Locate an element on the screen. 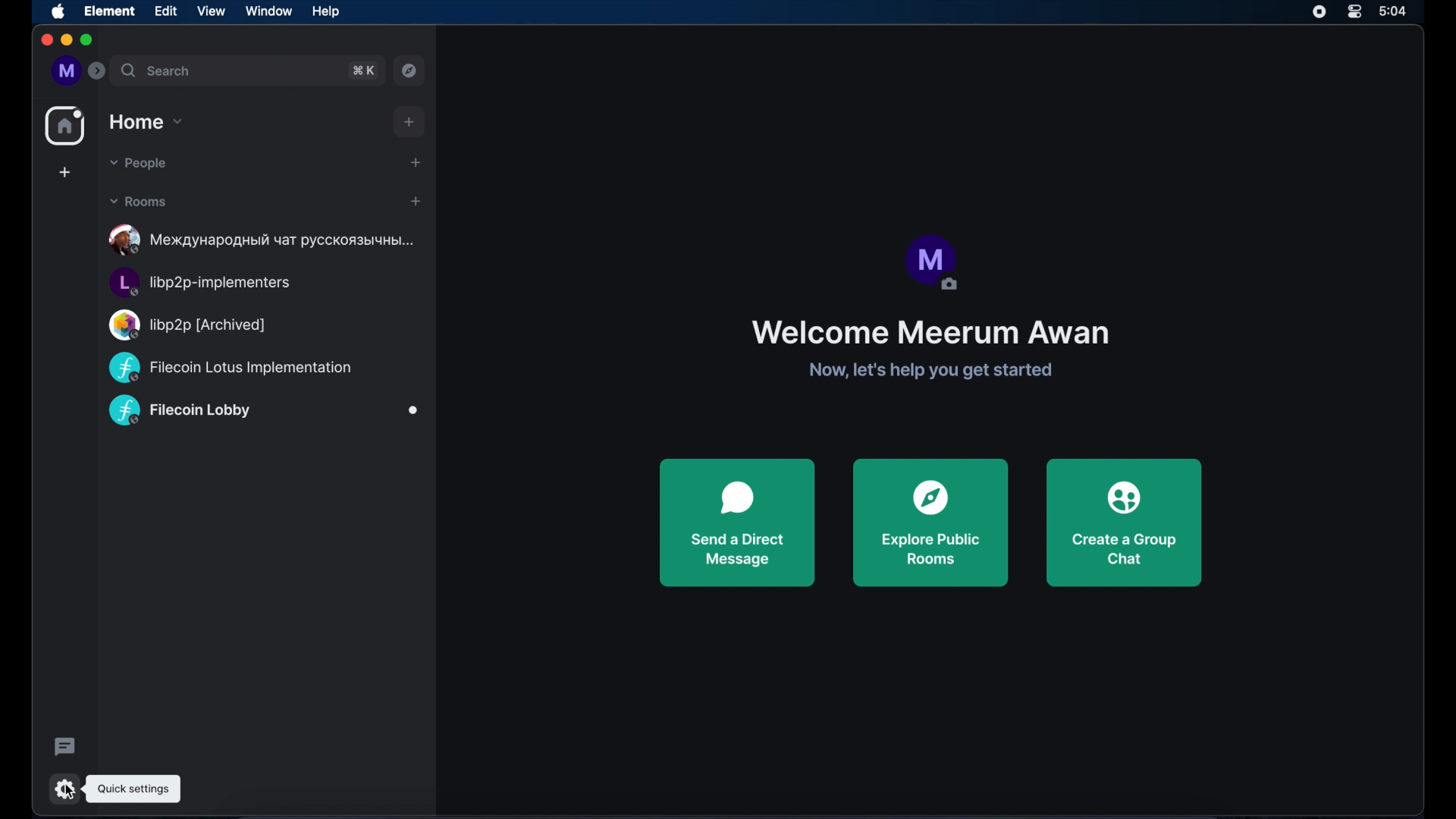  profile picture is located at coordinates (930, 263).